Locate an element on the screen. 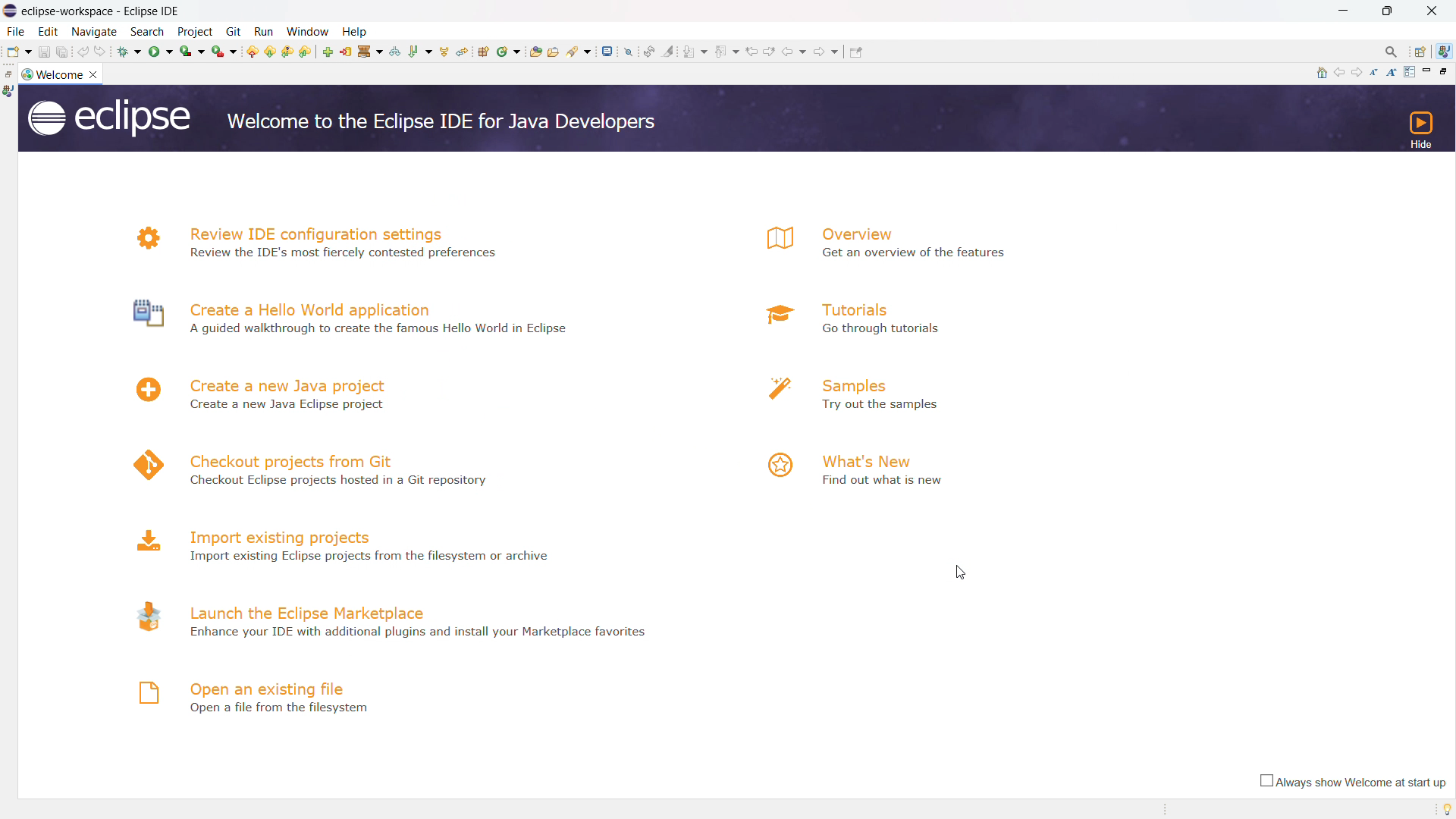 This screenshot has height=819, width=1456. save is located at coordinates (43, 52).